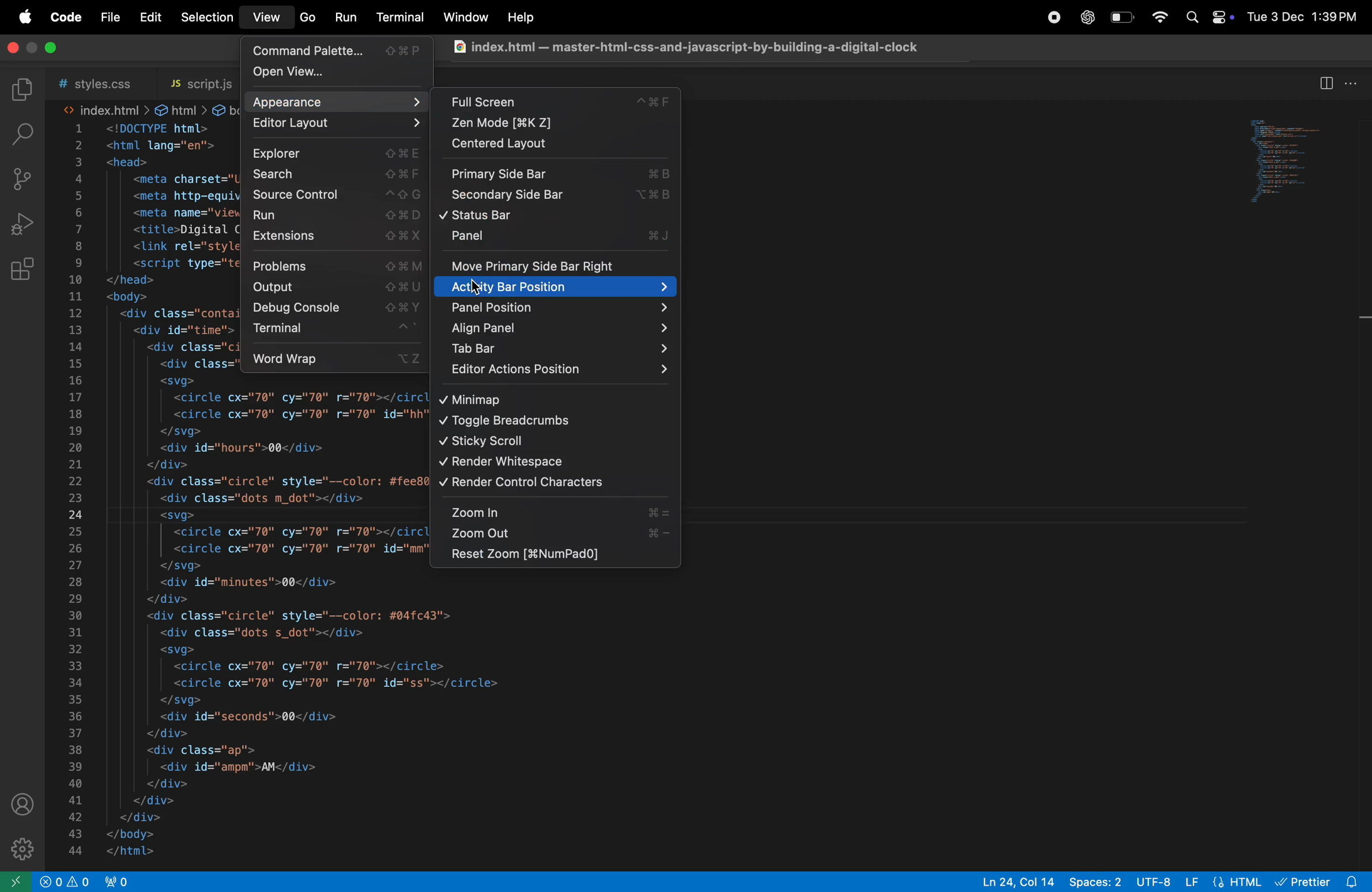  What do you see at coordinates (549, 555) in the screenshot?
I see `reset zoom touch pad` at bounding box center [549, 555].